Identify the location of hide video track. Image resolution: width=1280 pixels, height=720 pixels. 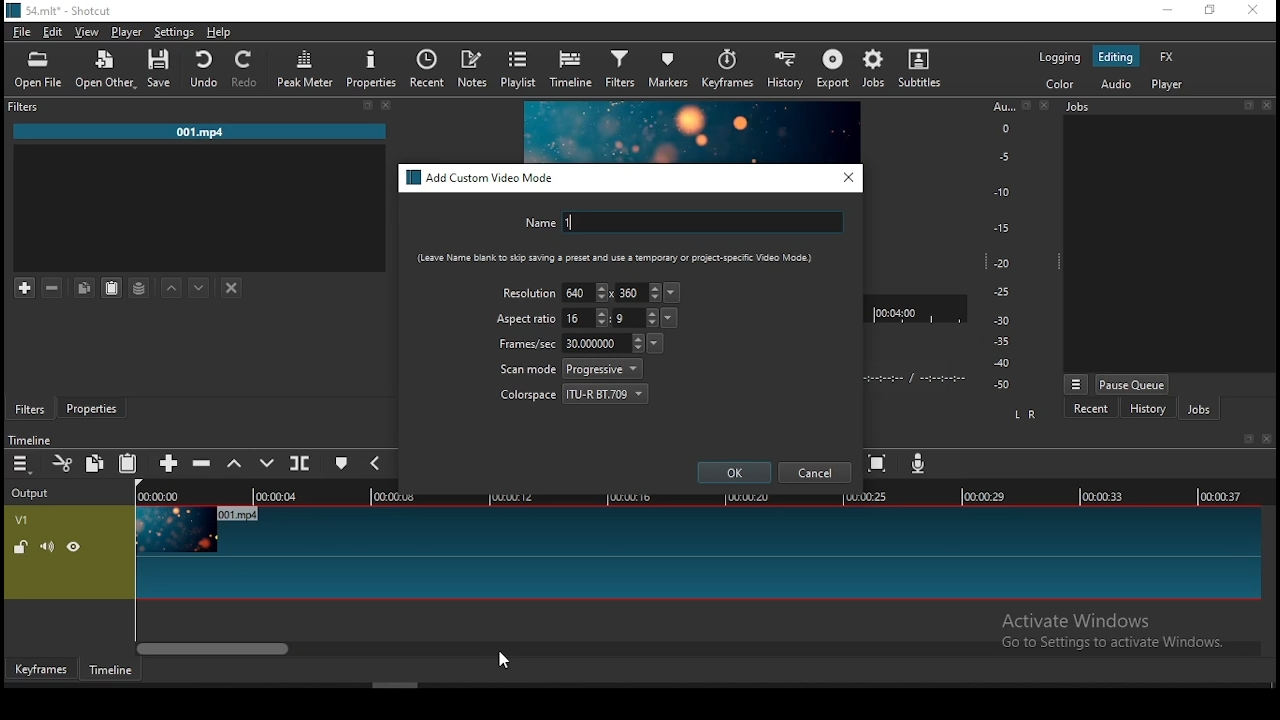
(74, 545).